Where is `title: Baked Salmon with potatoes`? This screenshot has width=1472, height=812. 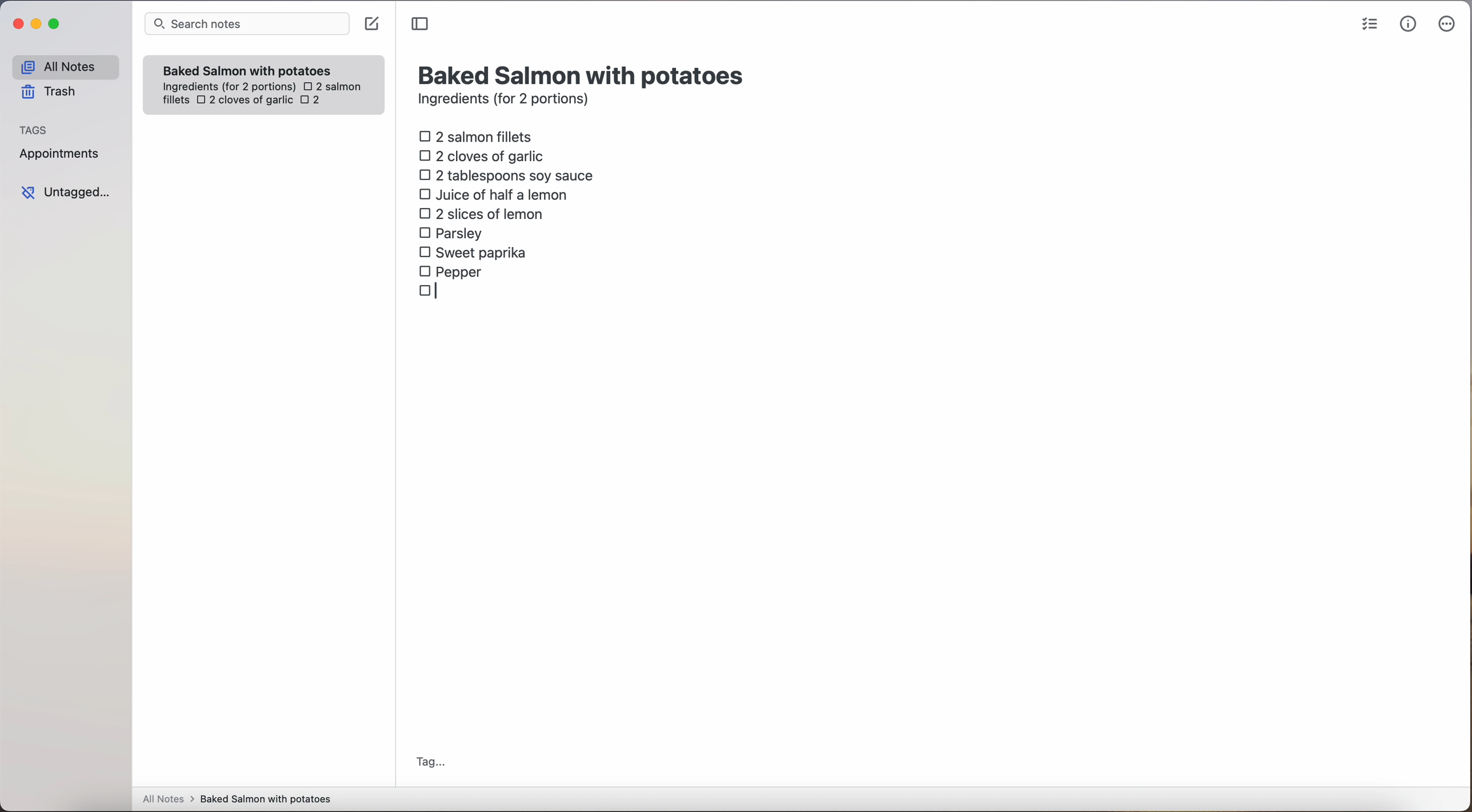 title: Baked Salmon with potatoes is located at coordinates (583, 74).